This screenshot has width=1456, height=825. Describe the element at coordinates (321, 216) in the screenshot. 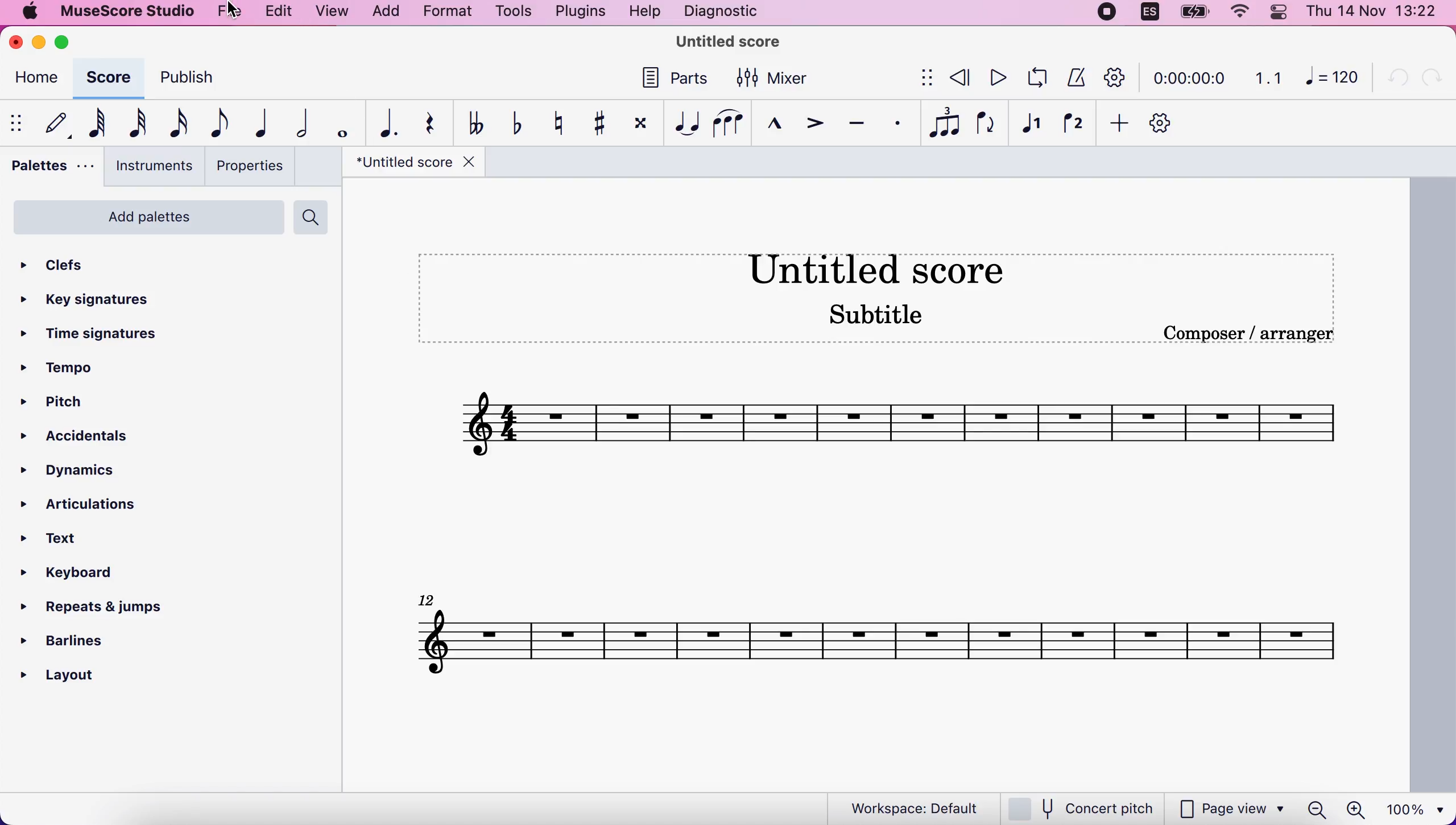

I see `search palettes` at that location.